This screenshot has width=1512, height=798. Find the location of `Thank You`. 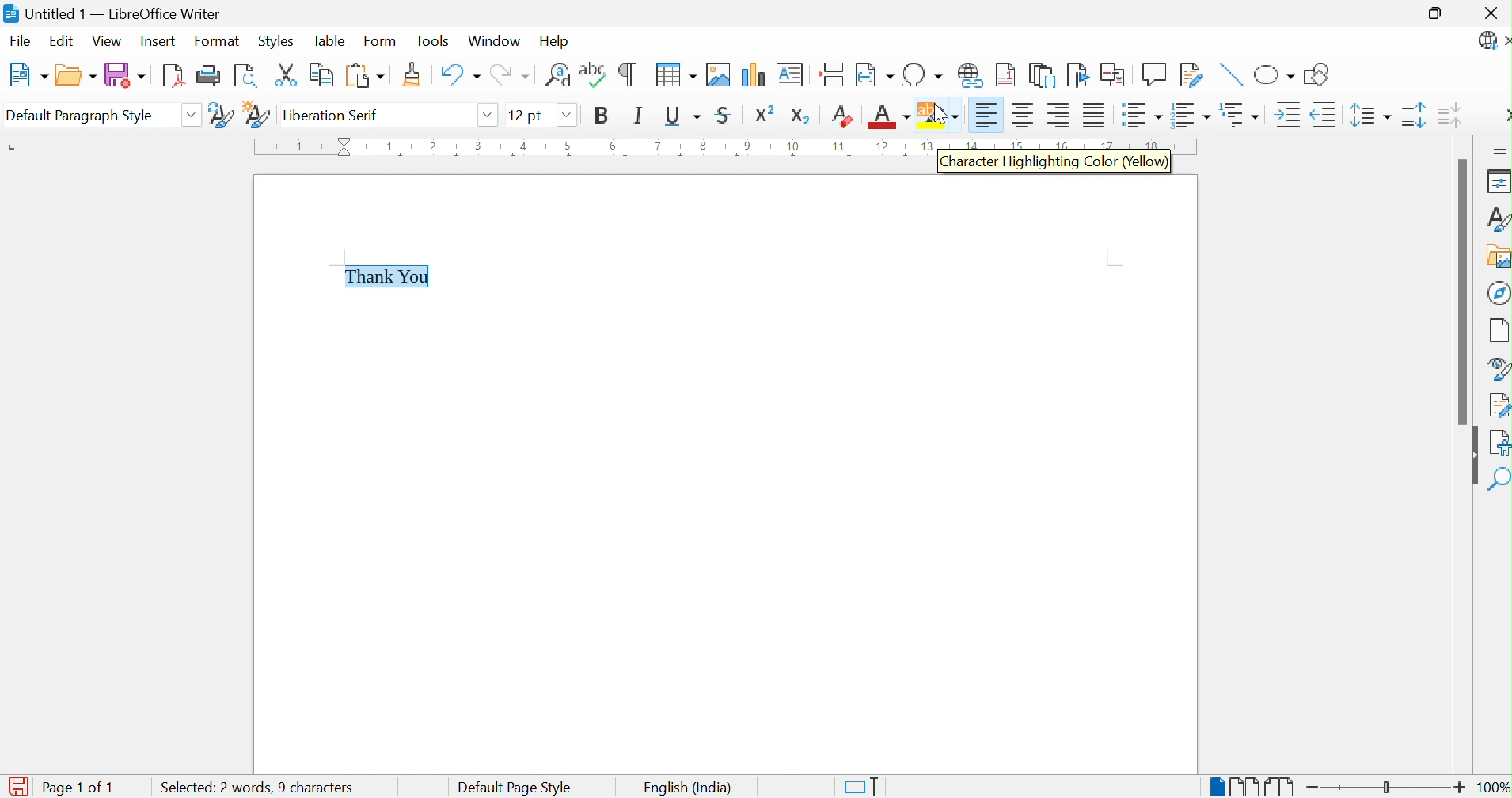

Thank You is located at coordinates (391, 277).